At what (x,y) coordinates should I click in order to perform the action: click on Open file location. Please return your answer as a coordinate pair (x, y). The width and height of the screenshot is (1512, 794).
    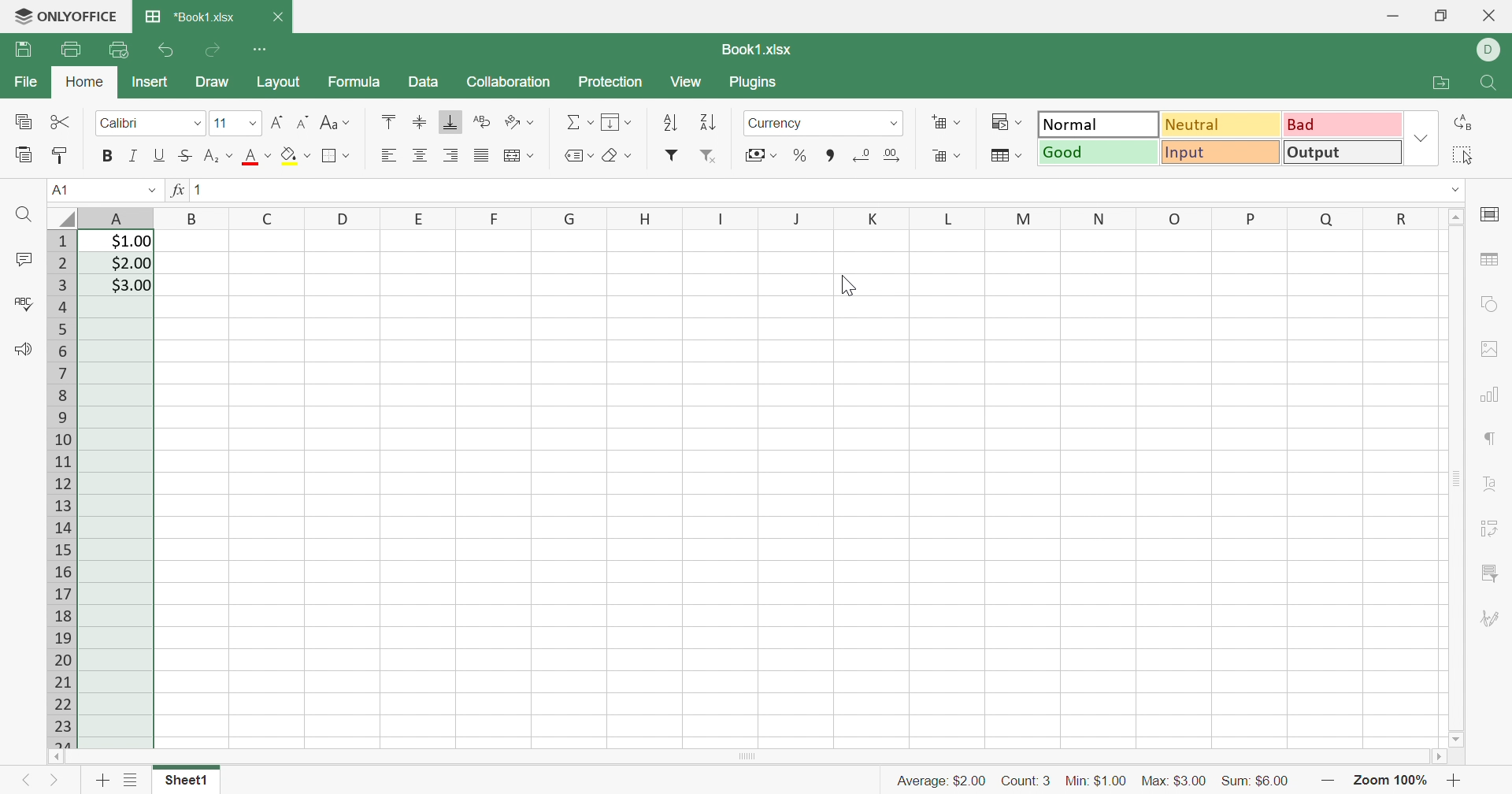
    Looking at the image, I should click on (1441, 82).